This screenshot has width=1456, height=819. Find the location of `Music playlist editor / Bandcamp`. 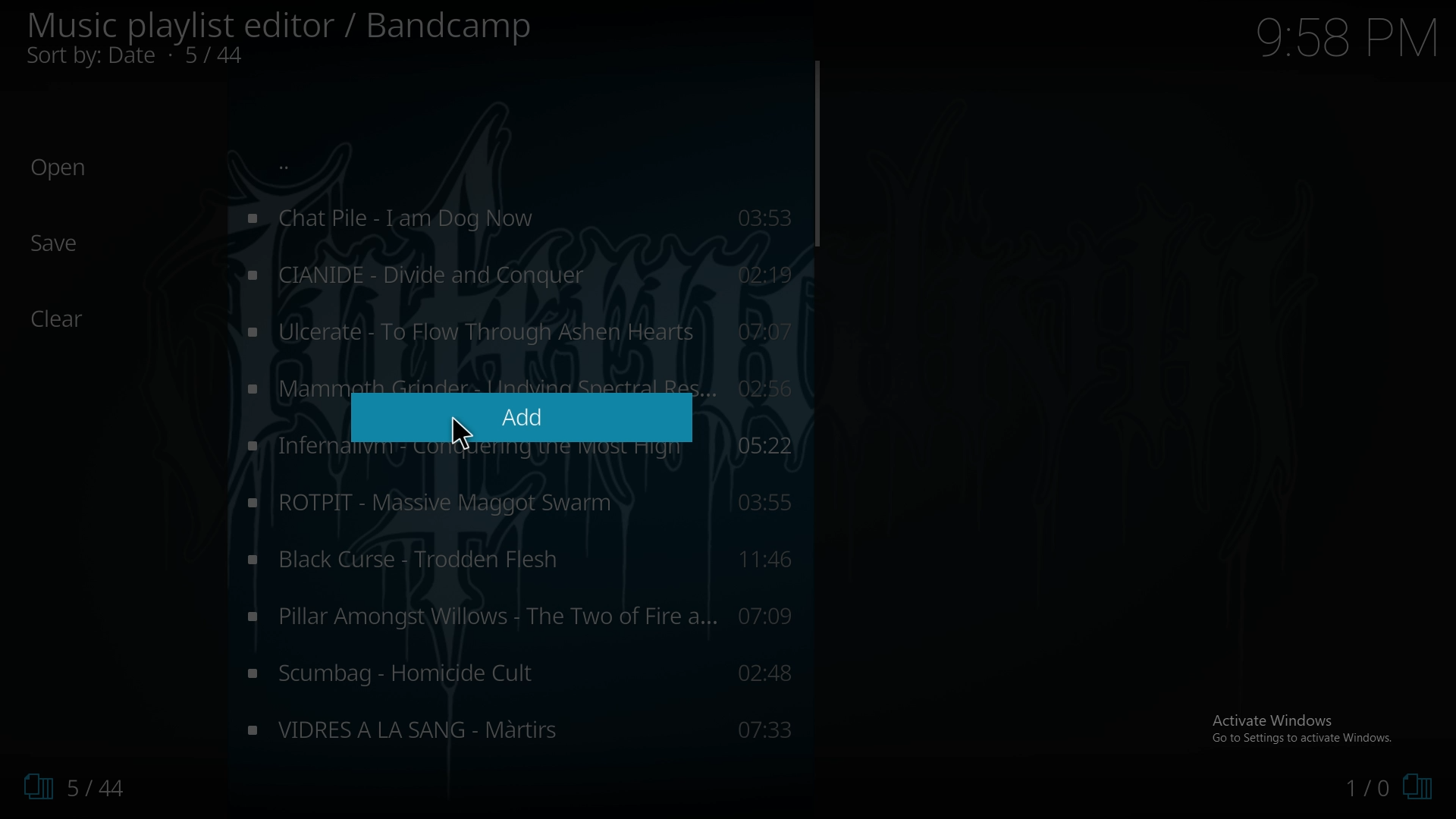

Music playlist editor / Bandcamp is located at coordinates (281, 26).